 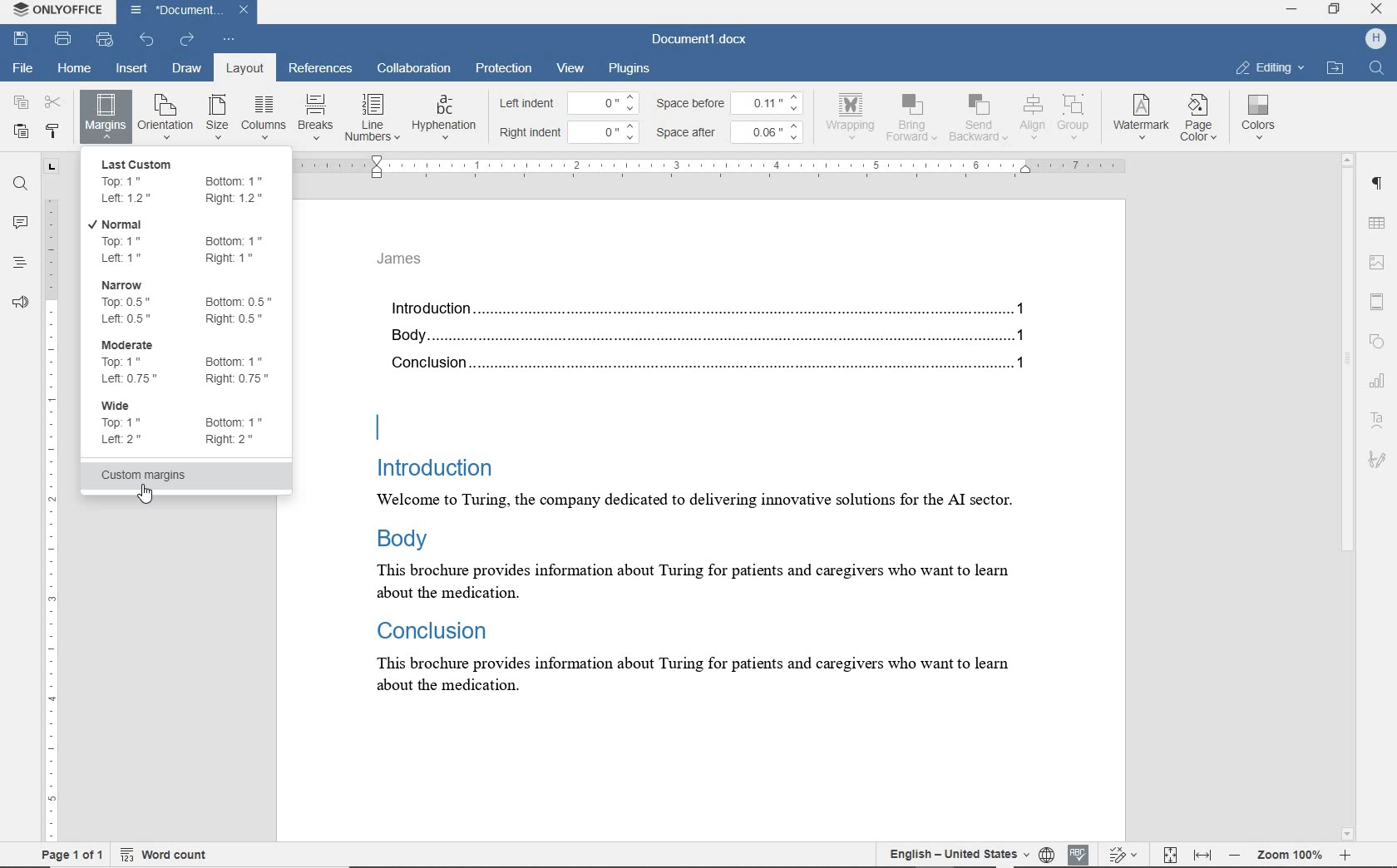 What do you see at coordinates (1203, 854) in the screenshot?
I see `fit to width` at bounding box center [1203, 854].